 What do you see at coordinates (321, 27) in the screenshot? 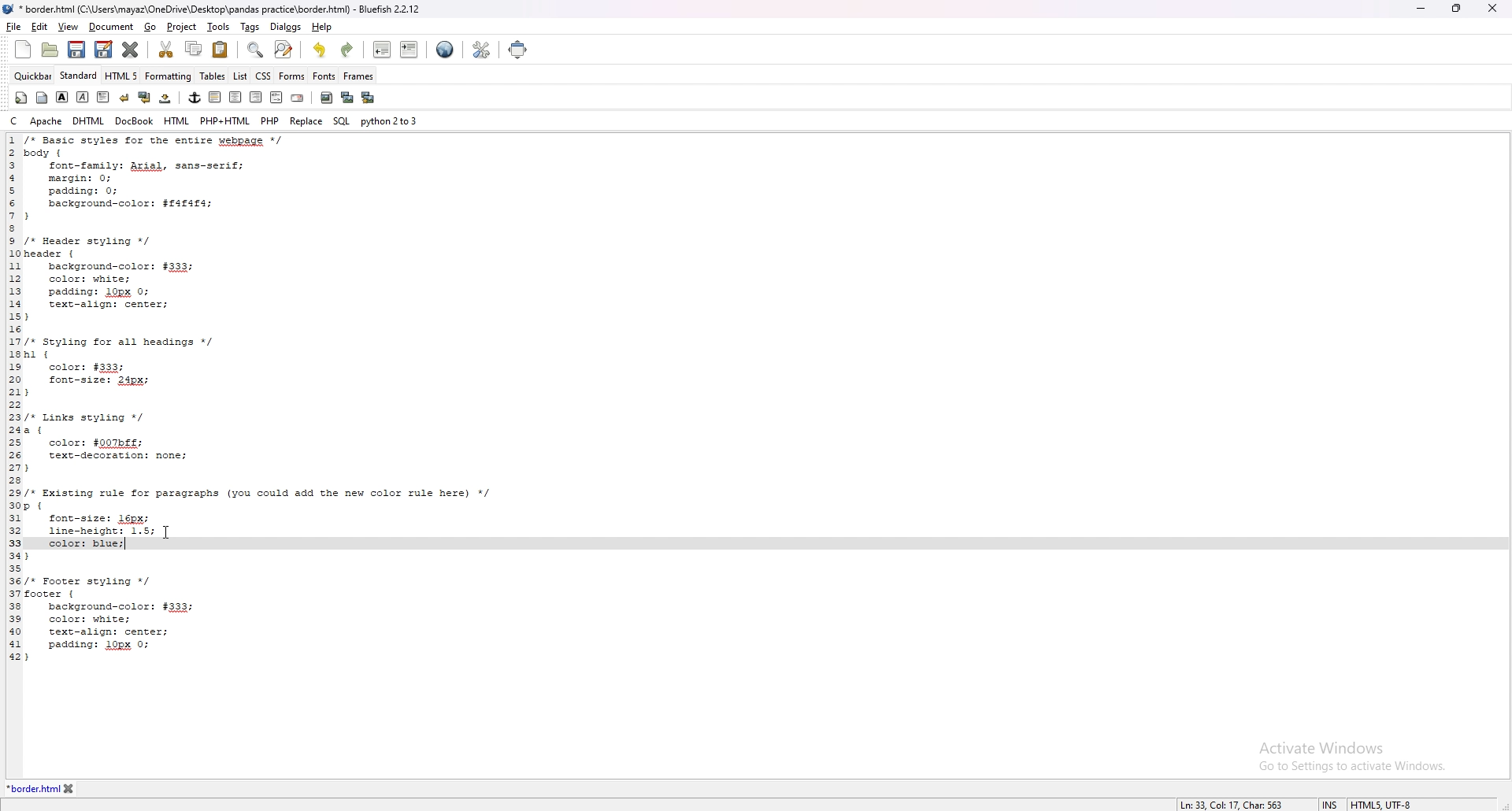
I see `help` at bounding box center [321, 27].